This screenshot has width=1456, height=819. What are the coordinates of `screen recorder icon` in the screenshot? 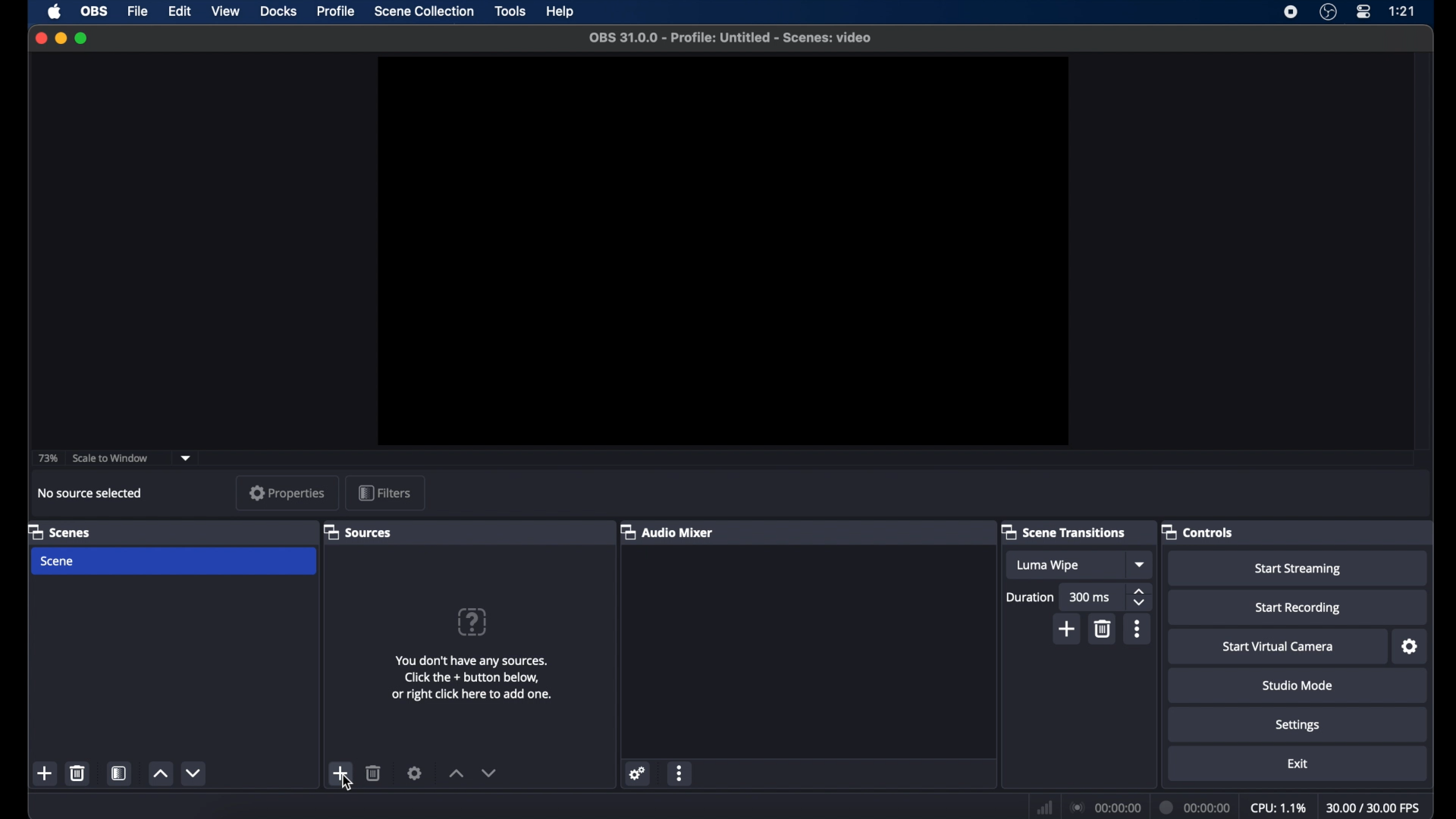 It's located at (1291, 12).